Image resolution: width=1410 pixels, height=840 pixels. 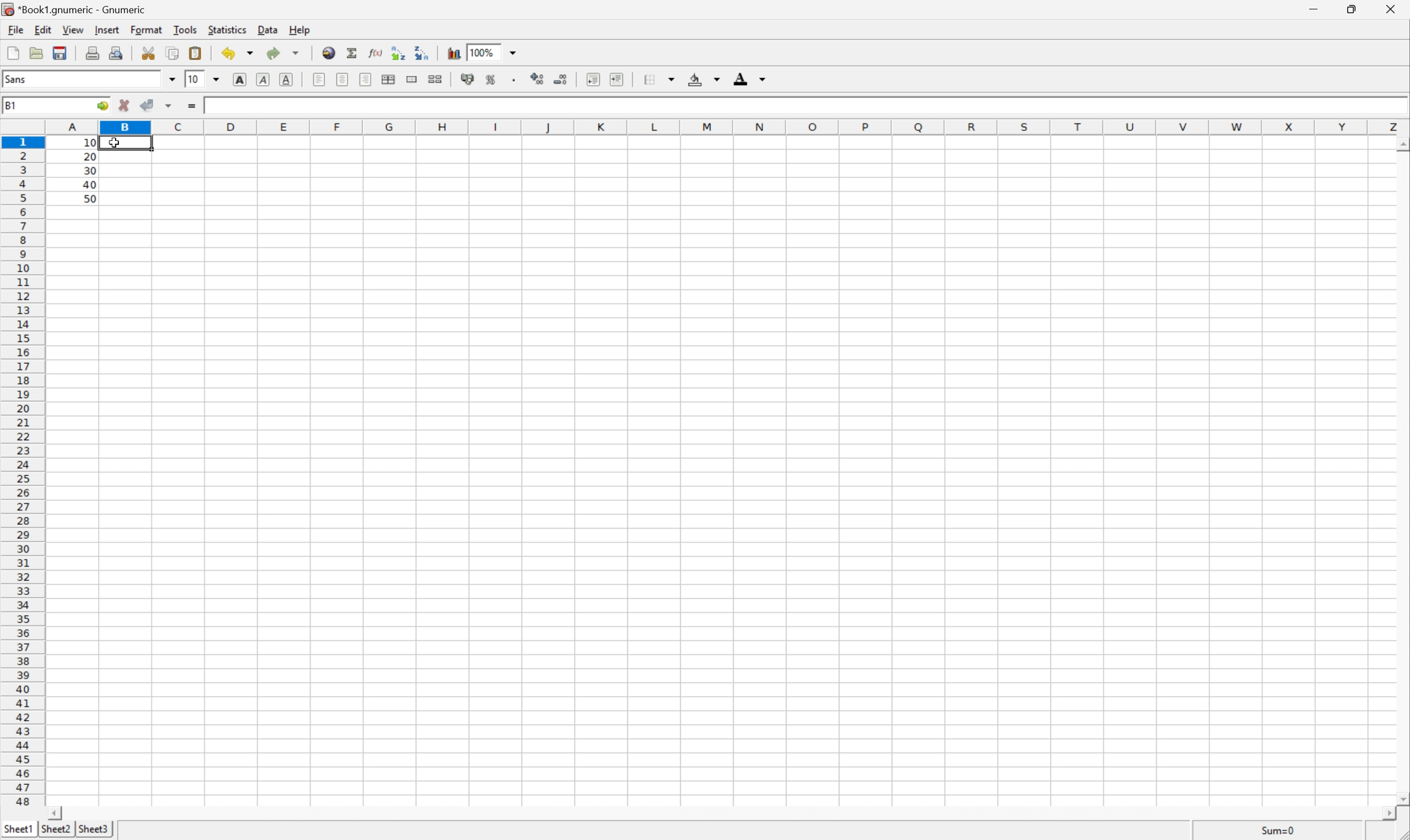 What do you see at coordinates (148, 105) in the screenshot?
I see `Accept changes` at bounding box center [148, 105].